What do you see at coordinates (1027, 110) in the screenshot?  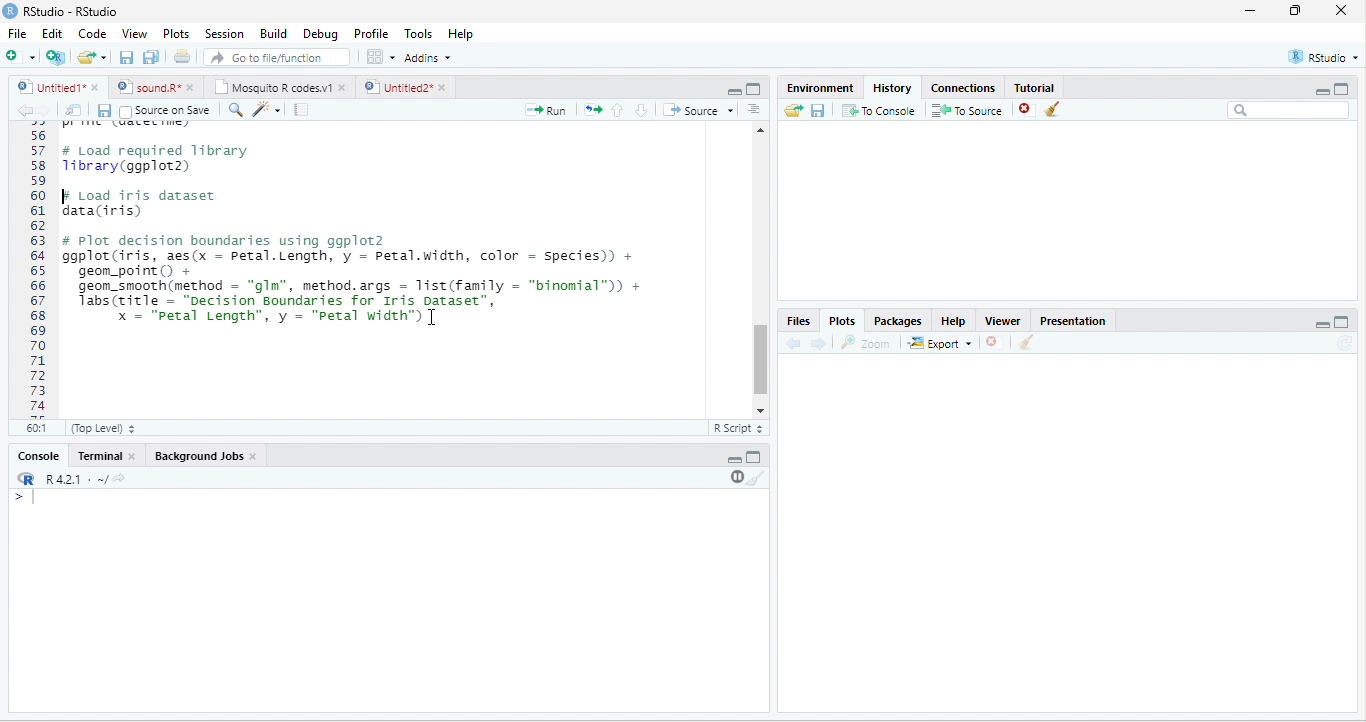 I see `close file` at bounding box center [1027, 110].